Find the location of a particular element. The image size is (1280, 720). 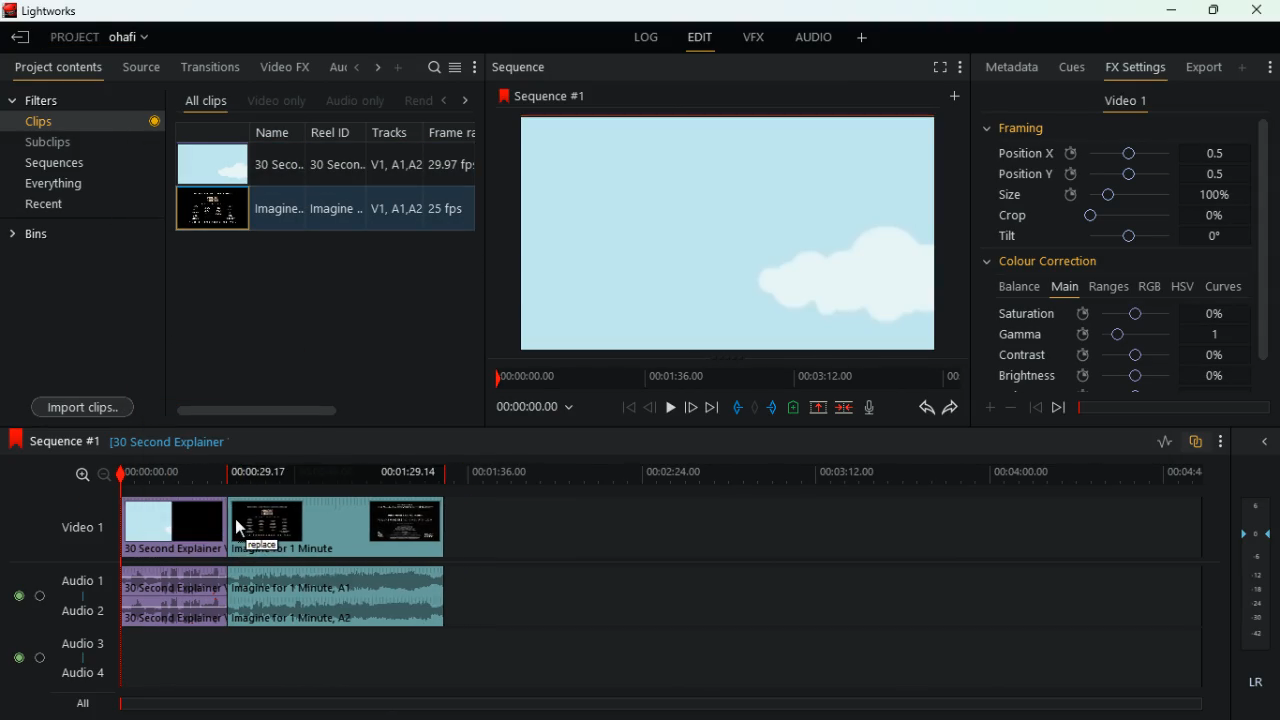

left is located at coordinates (448, 100).